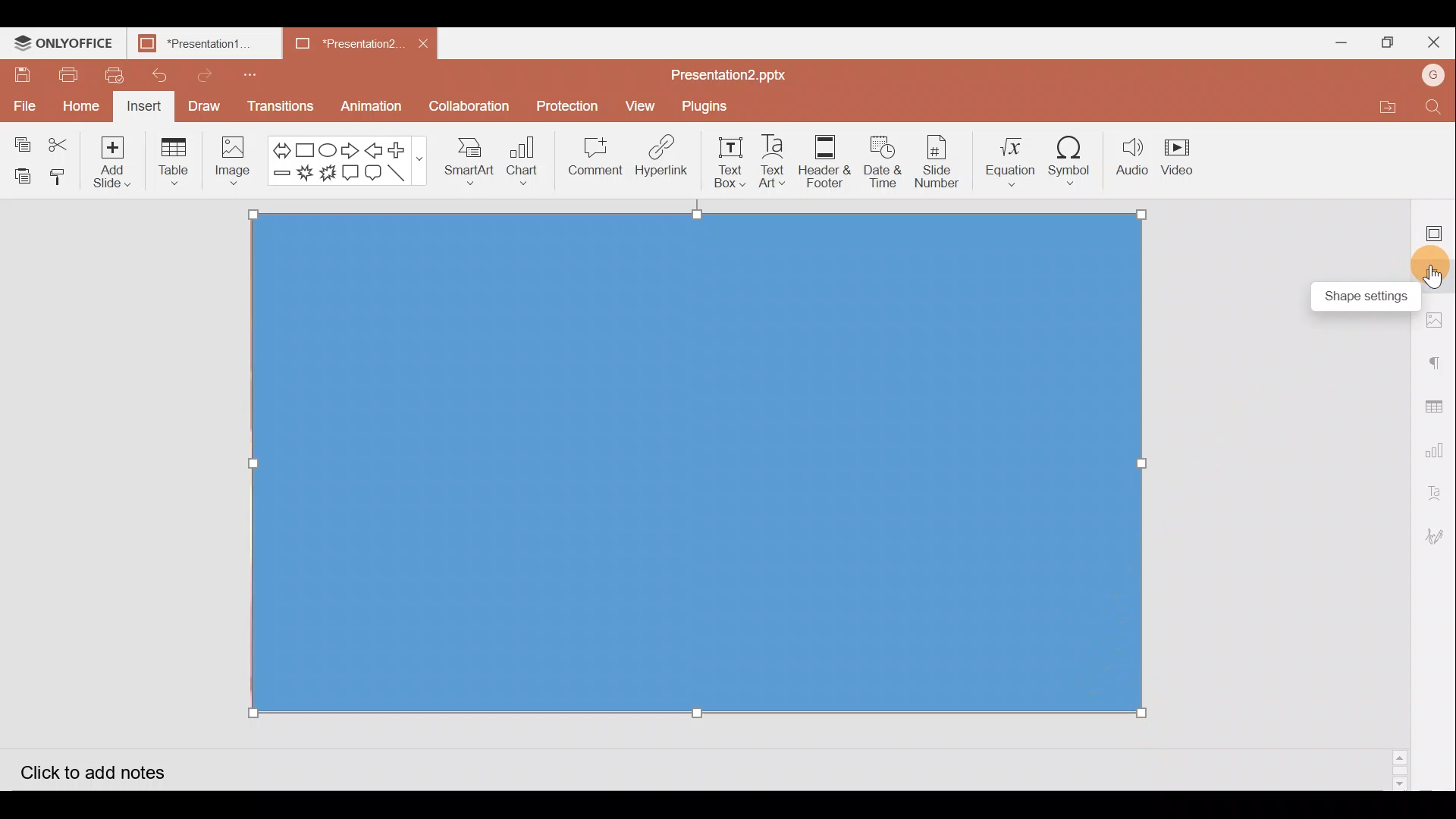  What do you see at coordinates (375, 174) in the screenshot?
I see `Rounded Rectangular callout` at bounding box center [375, 174].